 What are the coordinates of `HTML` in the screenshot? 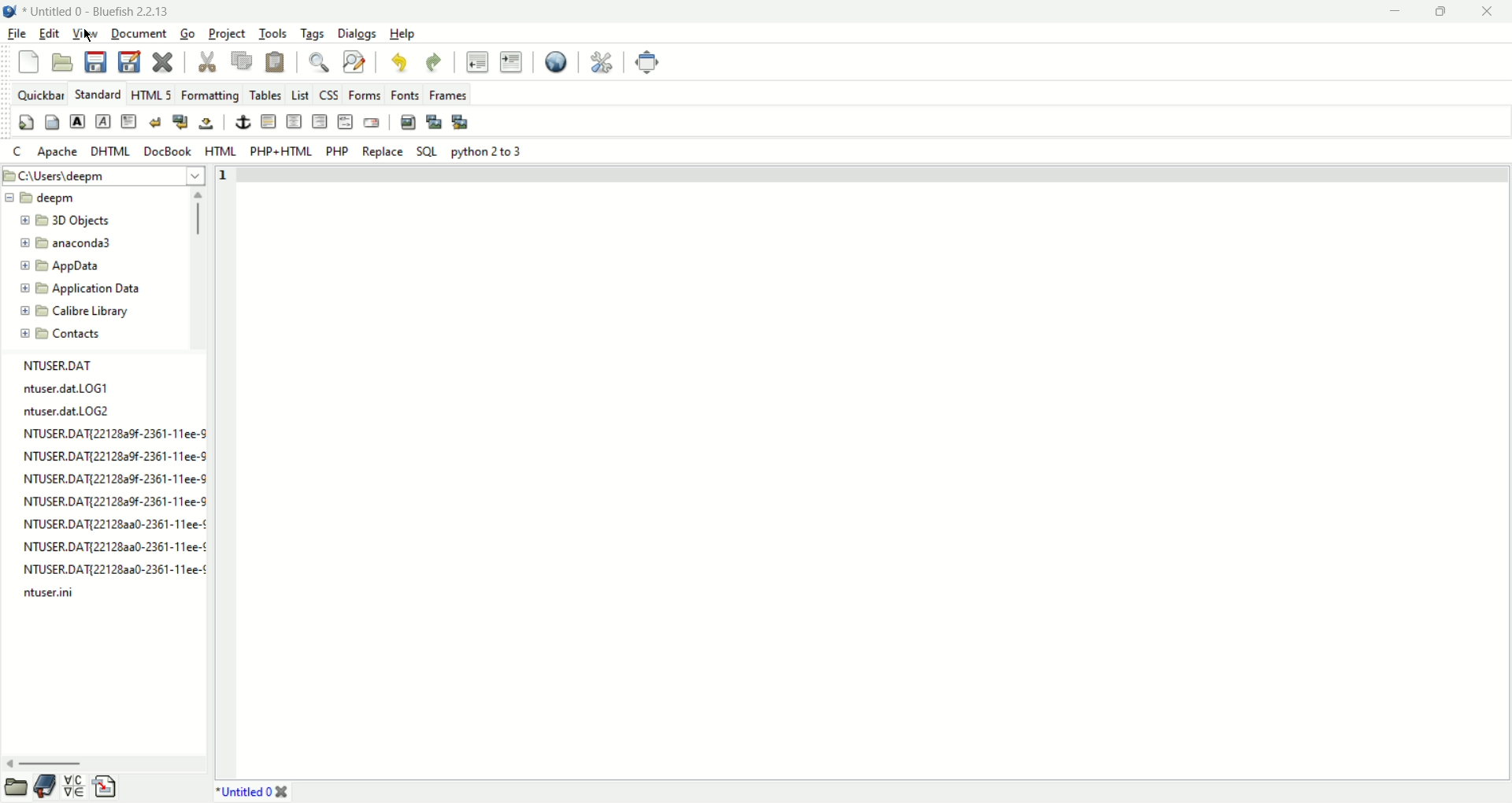 It's located at (222, 151).